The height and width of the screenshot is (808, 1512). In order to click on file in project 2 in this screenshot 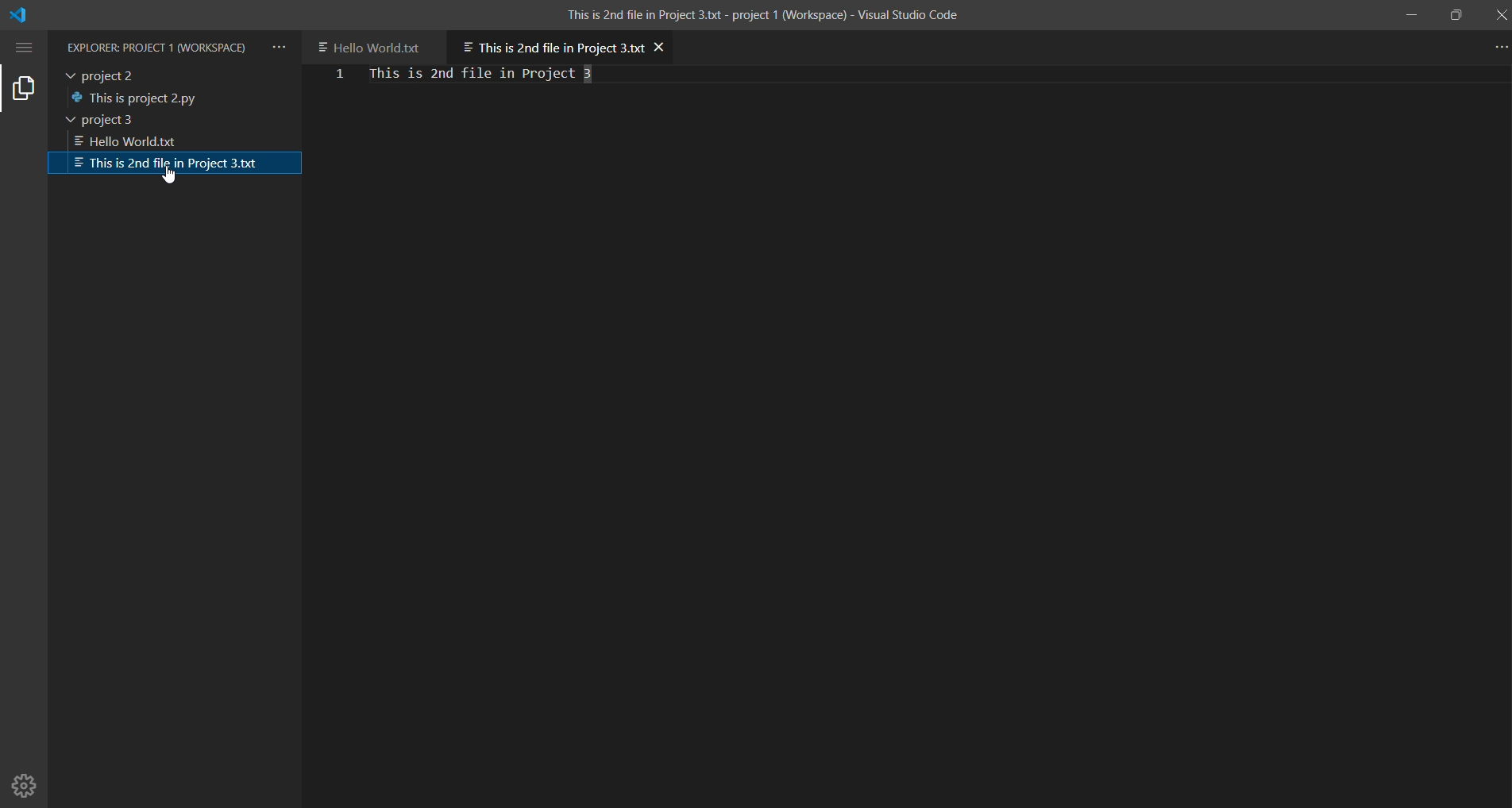, I will do `click(148, 98)`.